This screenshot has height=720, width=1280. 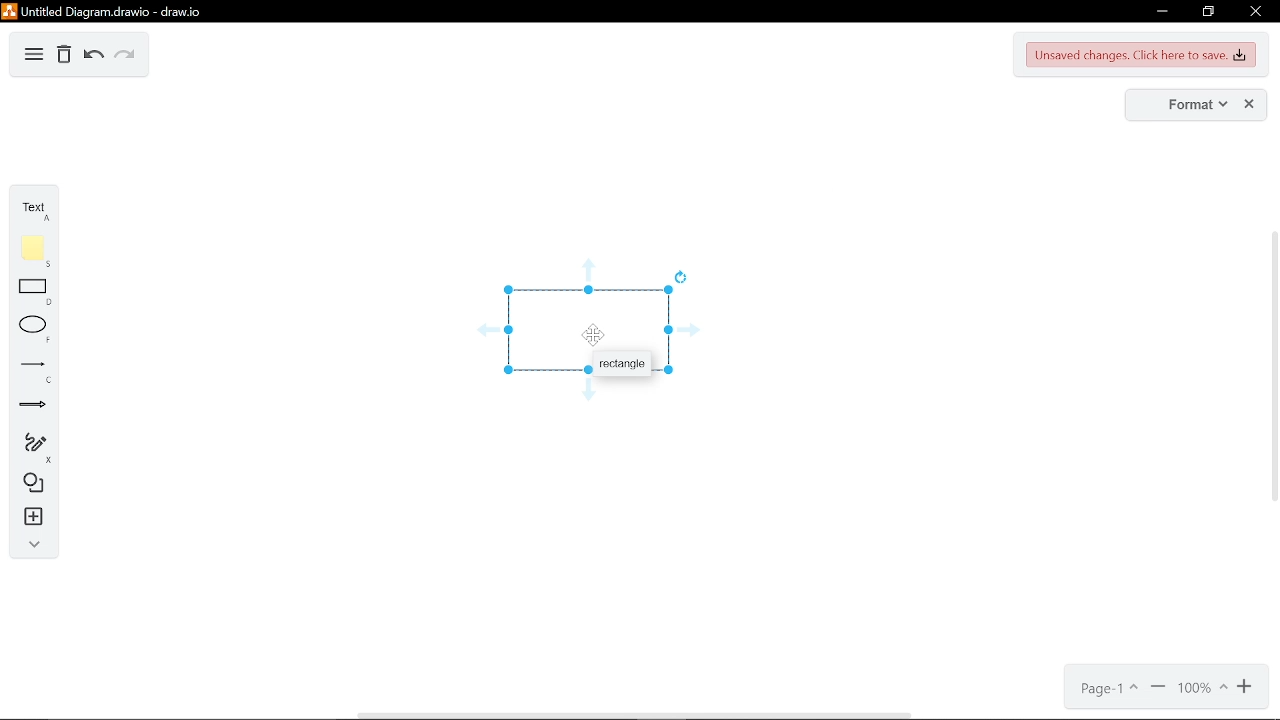 What do you see at coordinates (125, 57) in the screenshot?
I see `redo` at bounding box center [125, 57].